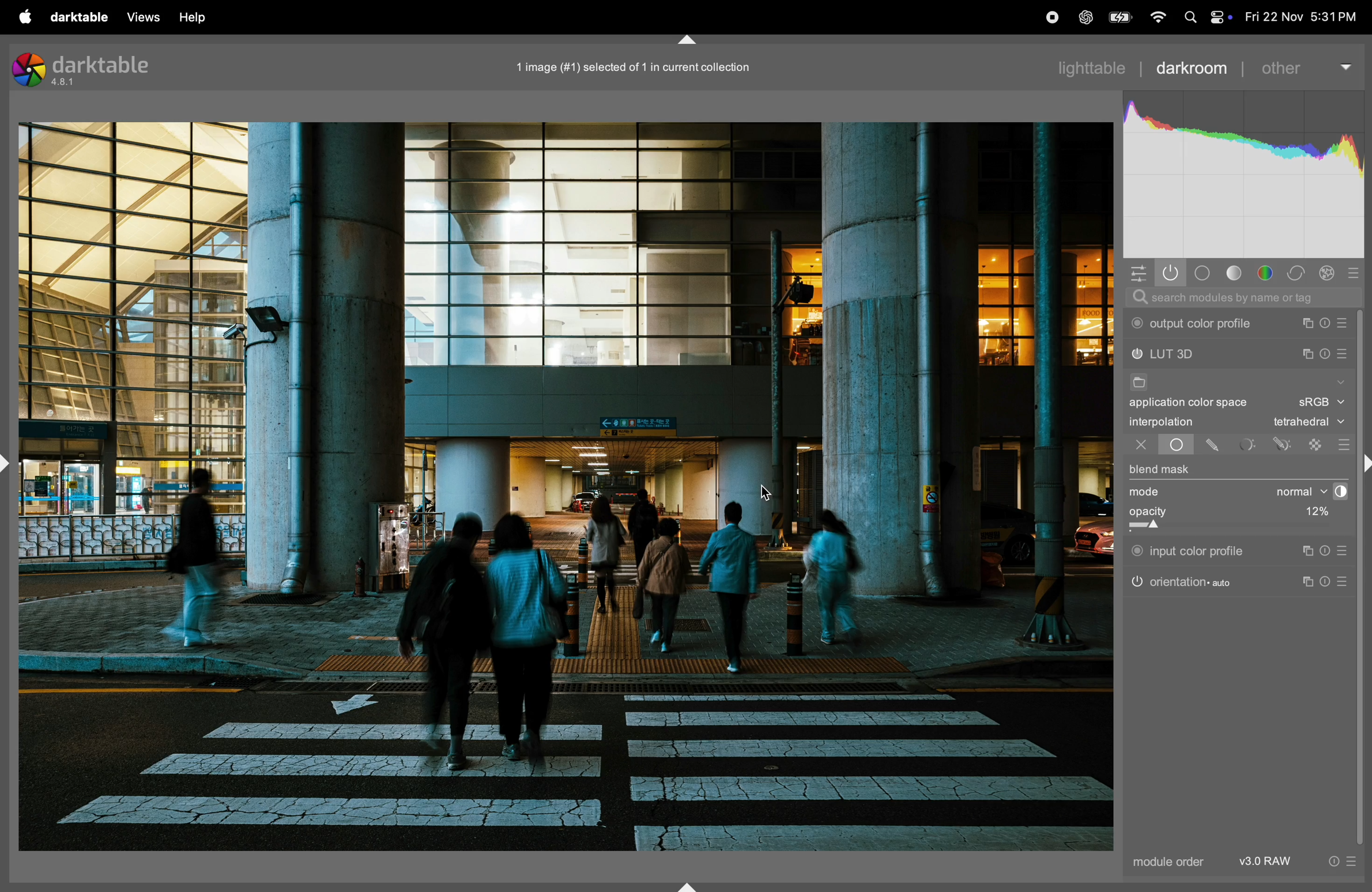 This screenshot has width=1372, height=892. Describe the element at coordinates (1359, 271) in the screenshot. I see `presets` at that location.